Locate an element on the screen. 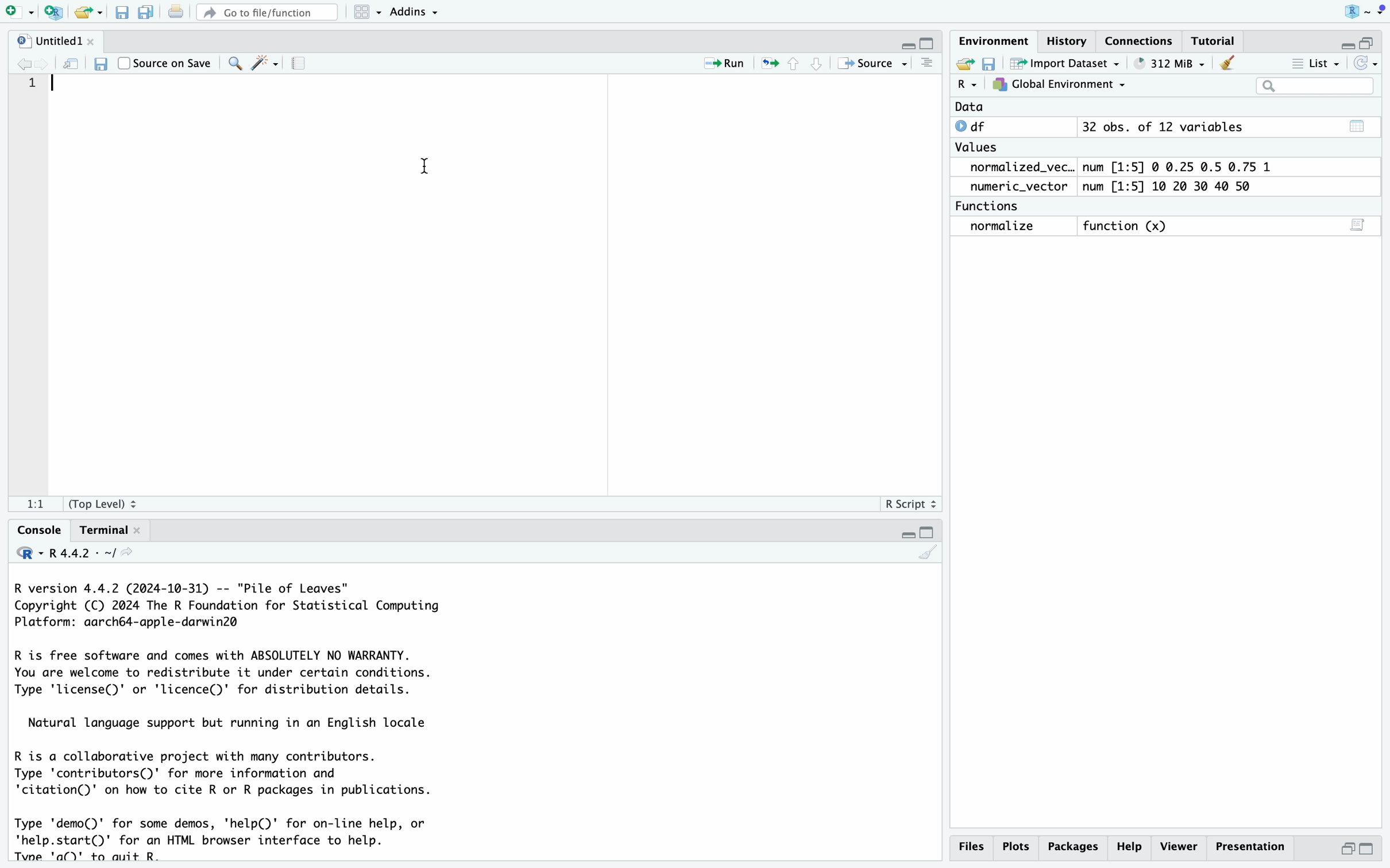 This screenshot has width=1390, height=868. save is located at coordinates (991, 61).